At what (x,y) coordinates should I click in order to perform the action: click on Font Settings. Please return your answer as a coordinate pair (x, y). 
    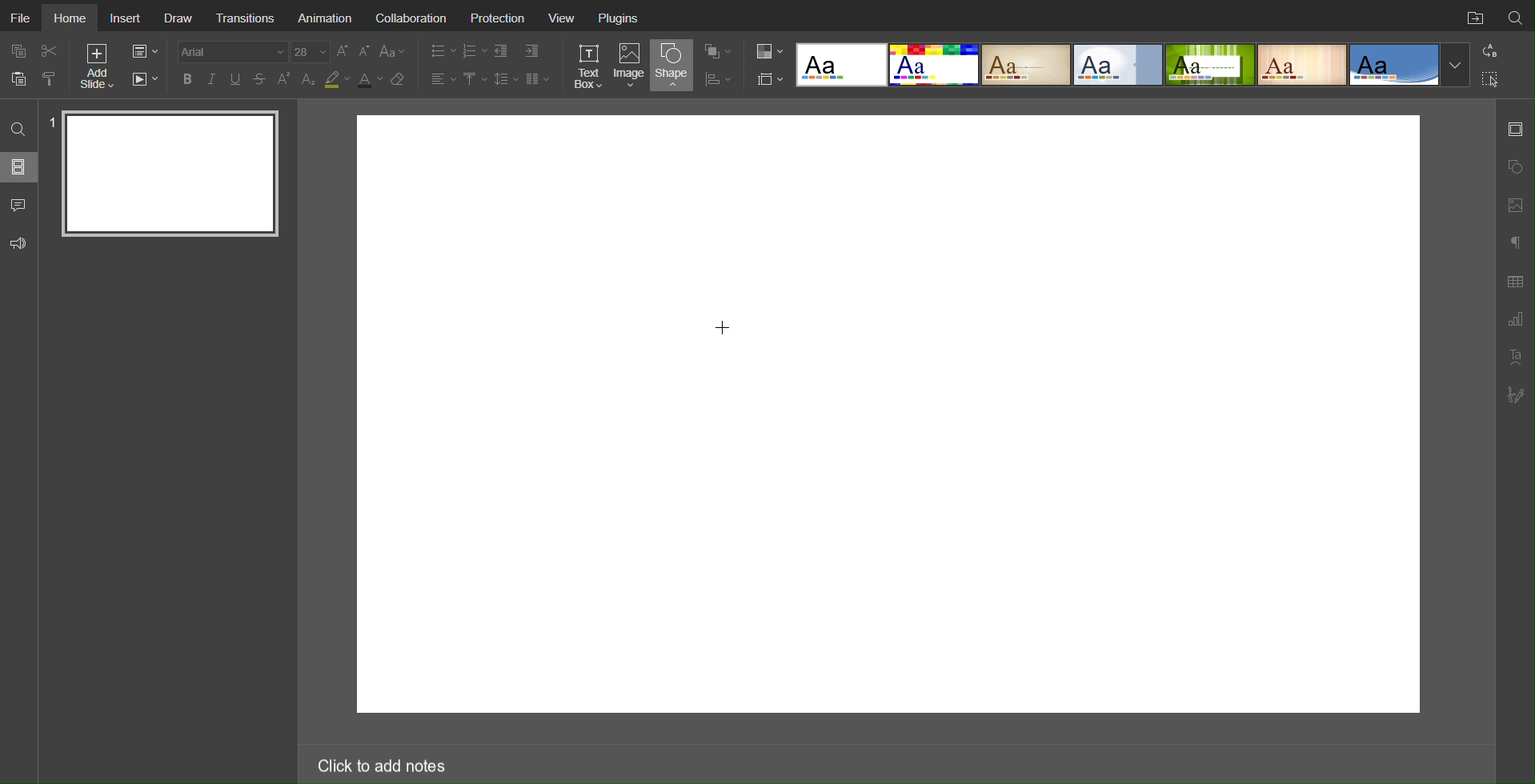
    Looking at the image, I should click on (251, 51).